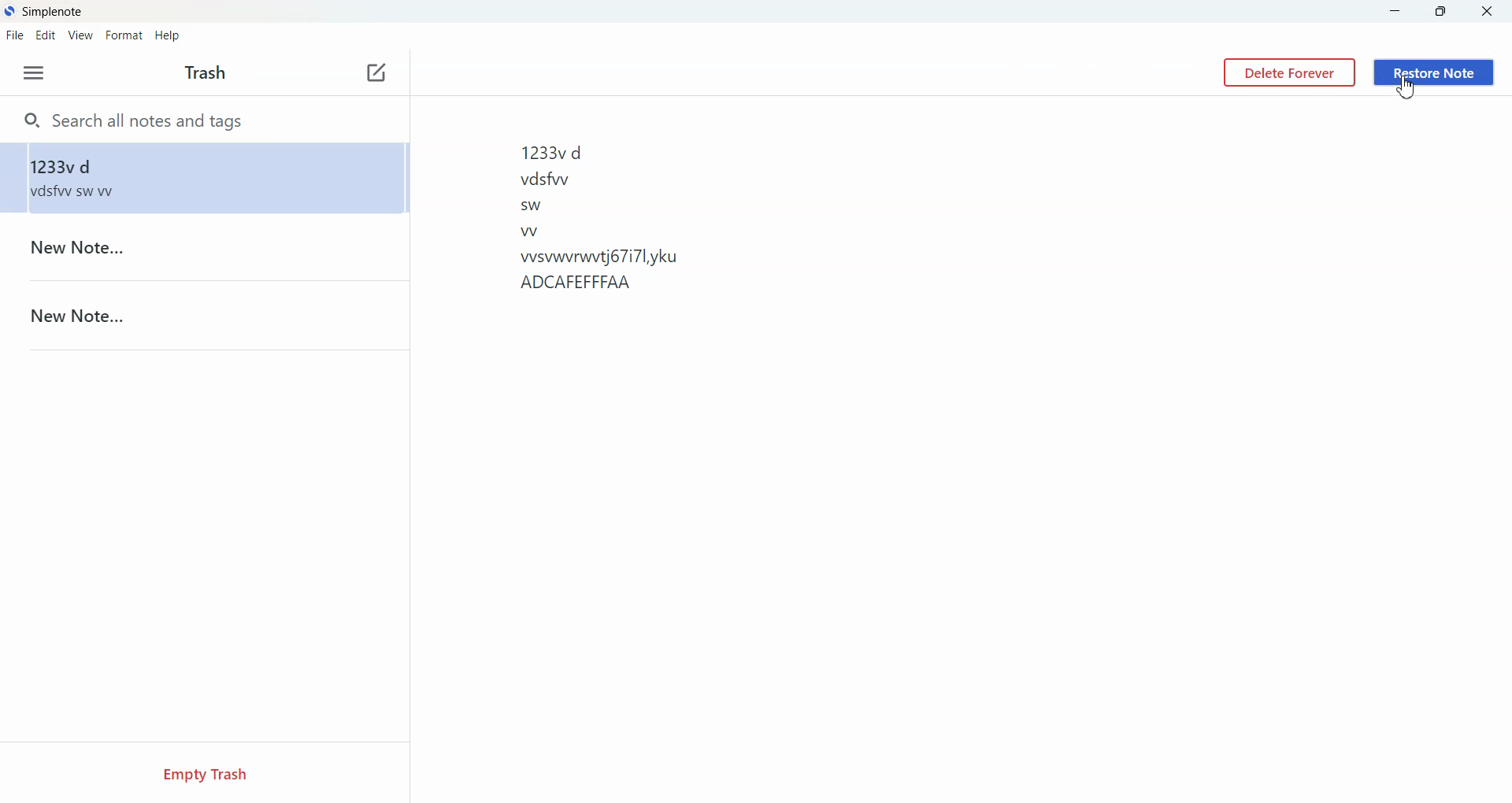 The height and width of the screenshot is (803, 1512). I want to click on 1233vd, so click(560, 154).